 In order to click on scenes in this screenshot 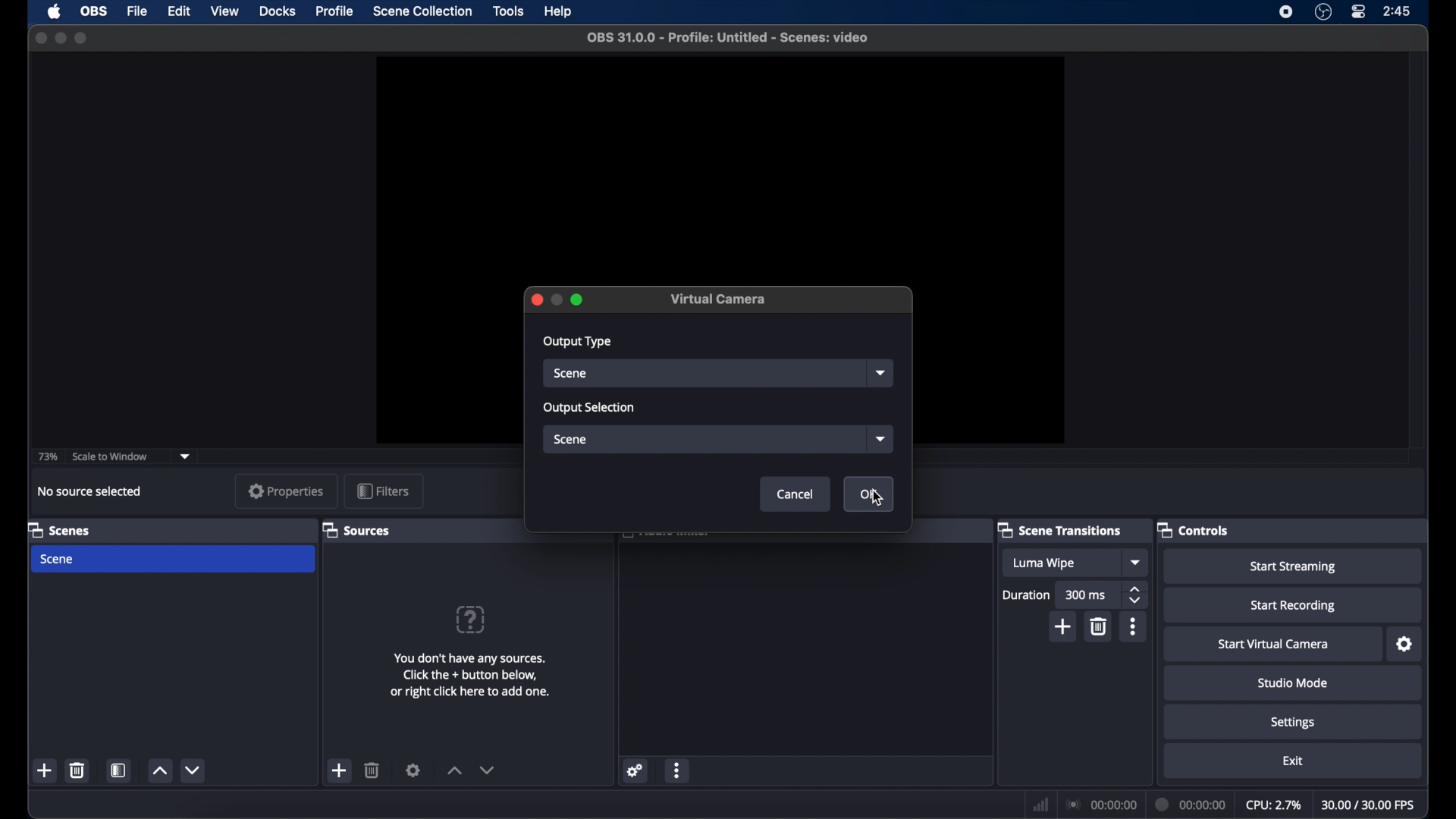, I will do `click(58, 529)`.